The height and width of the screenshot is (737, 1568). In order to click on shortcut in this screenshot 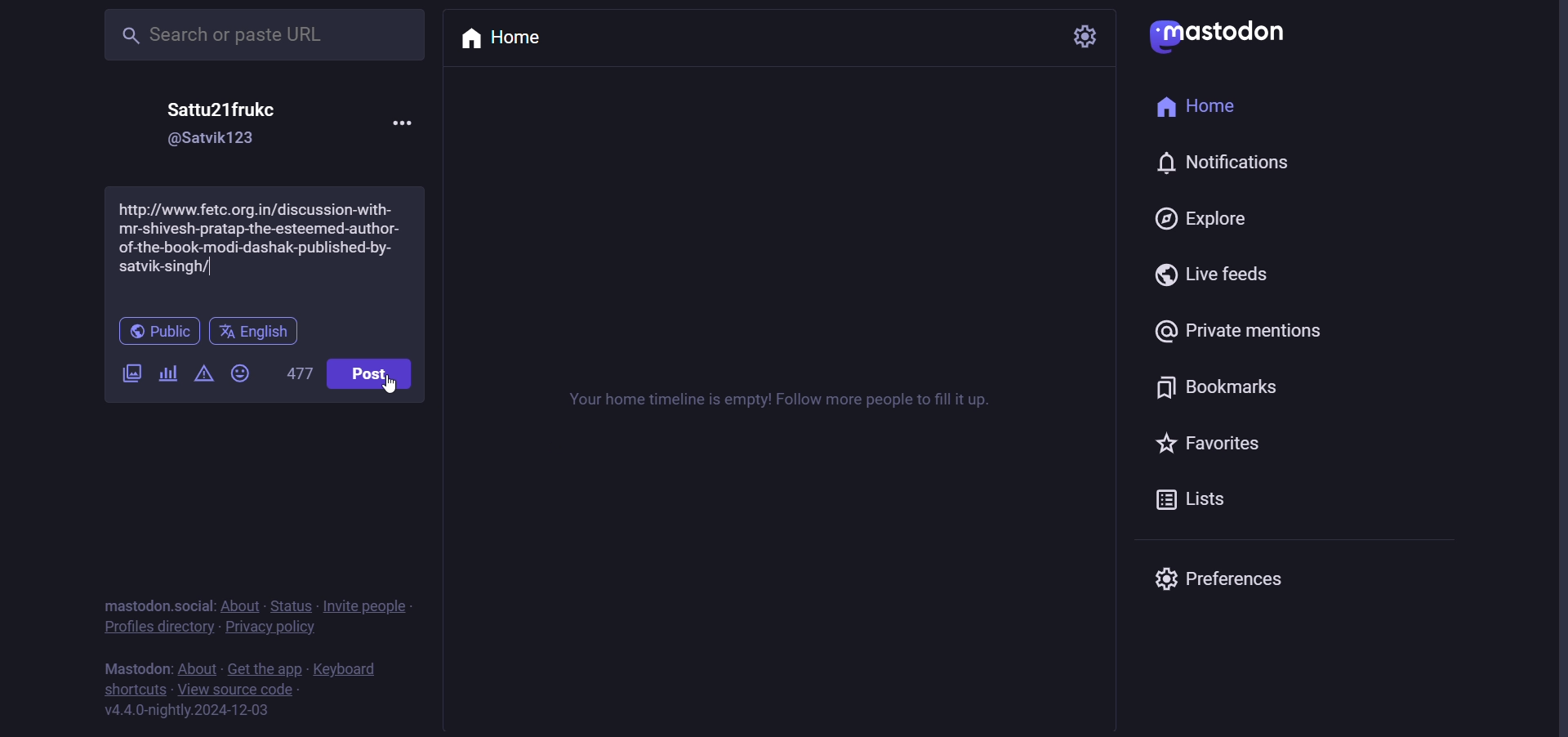, I will do `click(131, 691)`.